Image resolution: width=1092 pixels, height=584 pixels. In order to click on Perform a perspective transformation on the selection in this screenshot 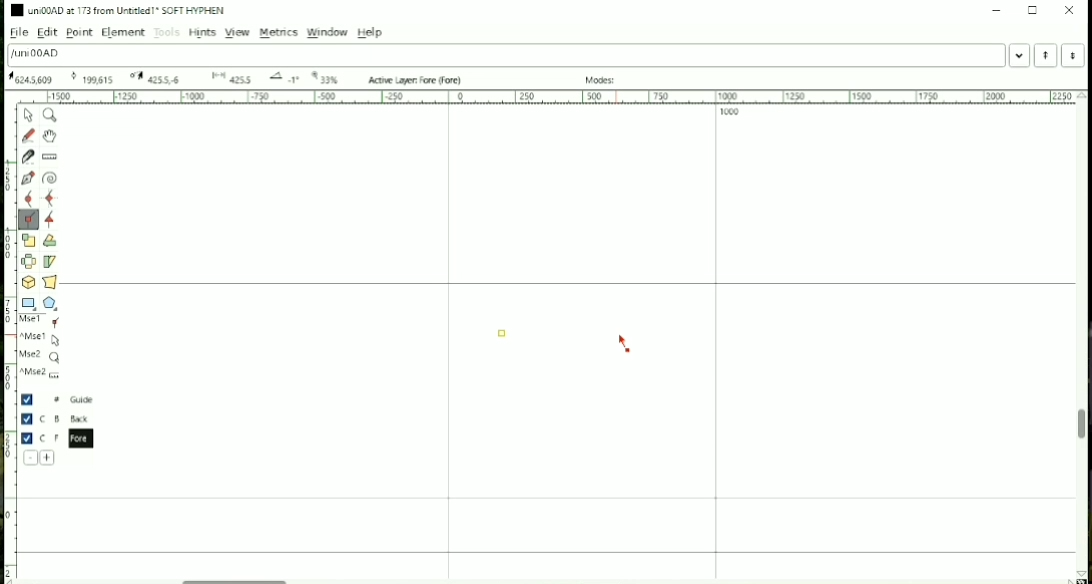, I will do `click(50, 281)`.